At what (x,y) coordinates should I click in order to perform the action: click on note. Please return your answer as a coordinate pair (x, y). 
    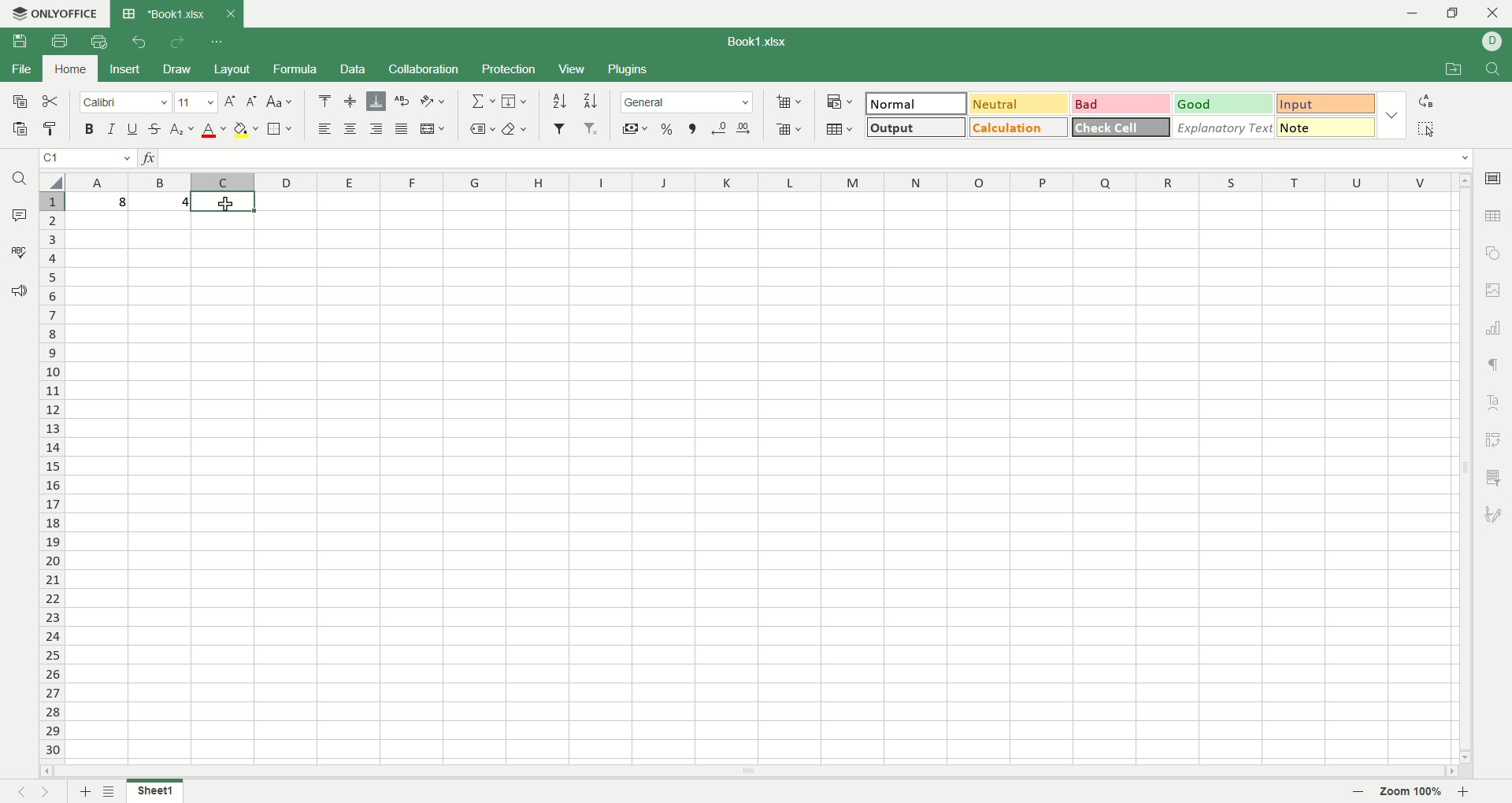
    Looking at the image, I should click on (1326, 127).